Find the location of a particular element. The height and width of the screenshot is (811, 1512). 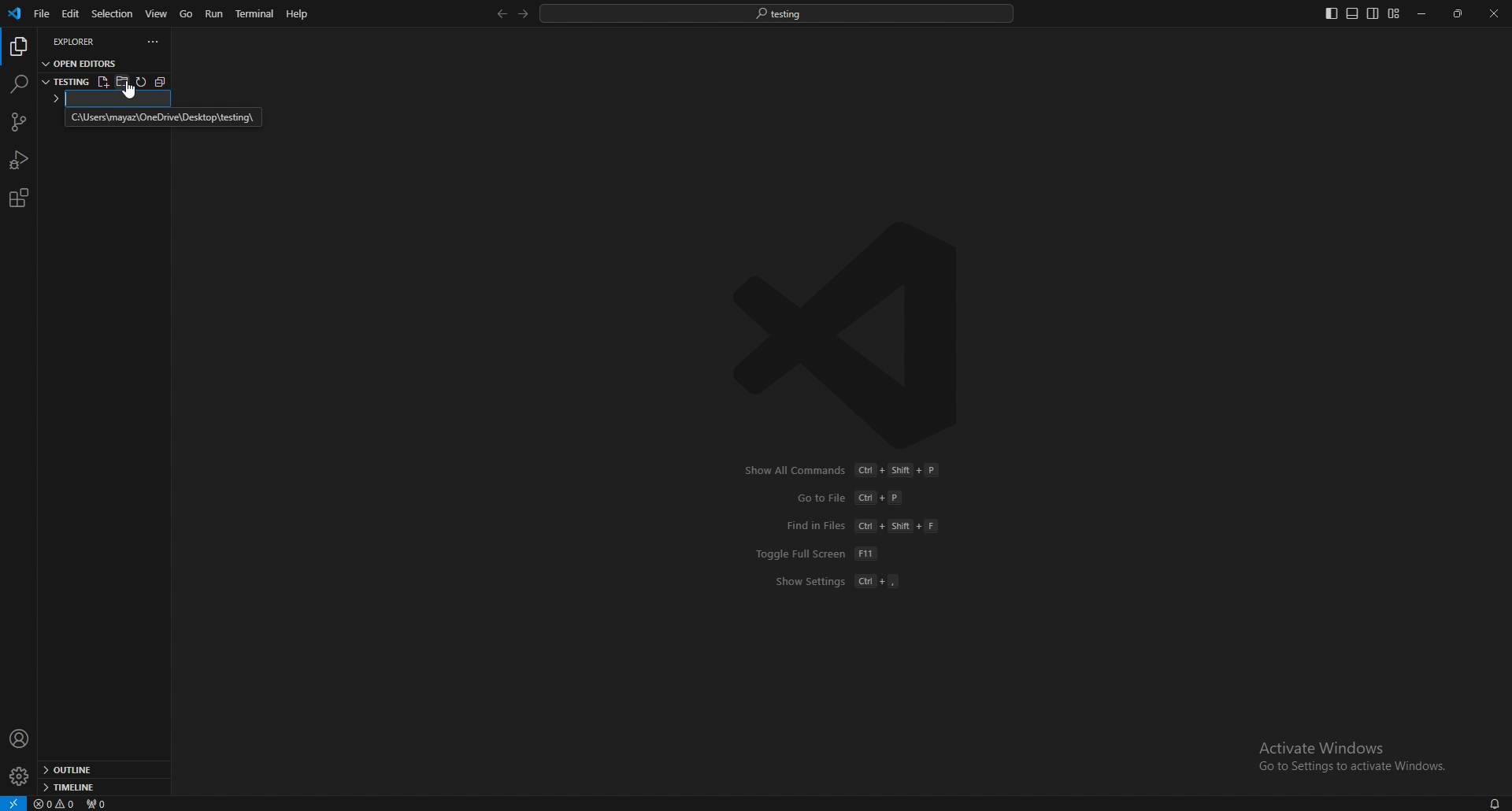

refresh is located at coordinates (143, 83).